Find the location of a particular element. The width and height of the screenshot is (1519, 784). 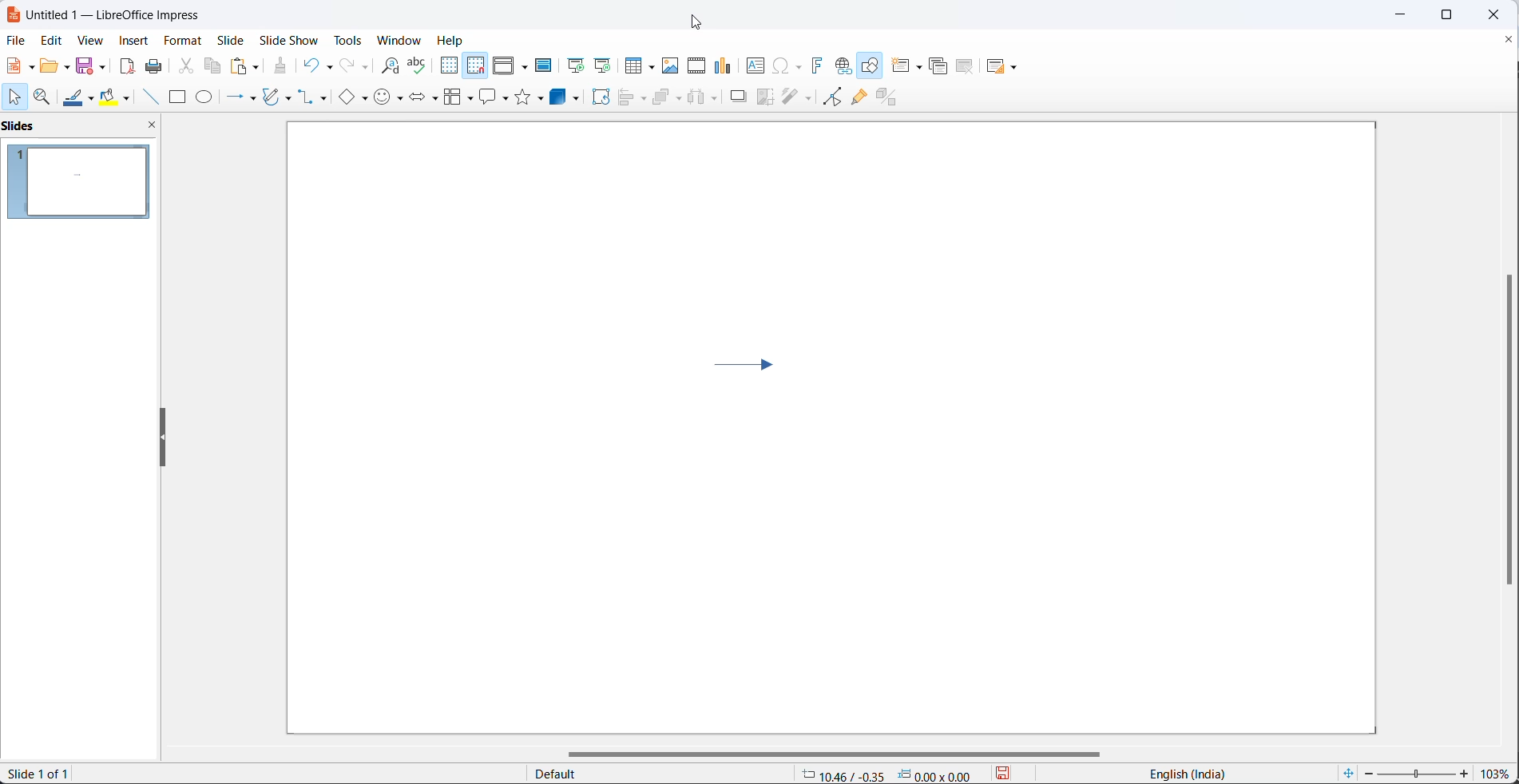

delete slide  is located at coordinates (965, 67).